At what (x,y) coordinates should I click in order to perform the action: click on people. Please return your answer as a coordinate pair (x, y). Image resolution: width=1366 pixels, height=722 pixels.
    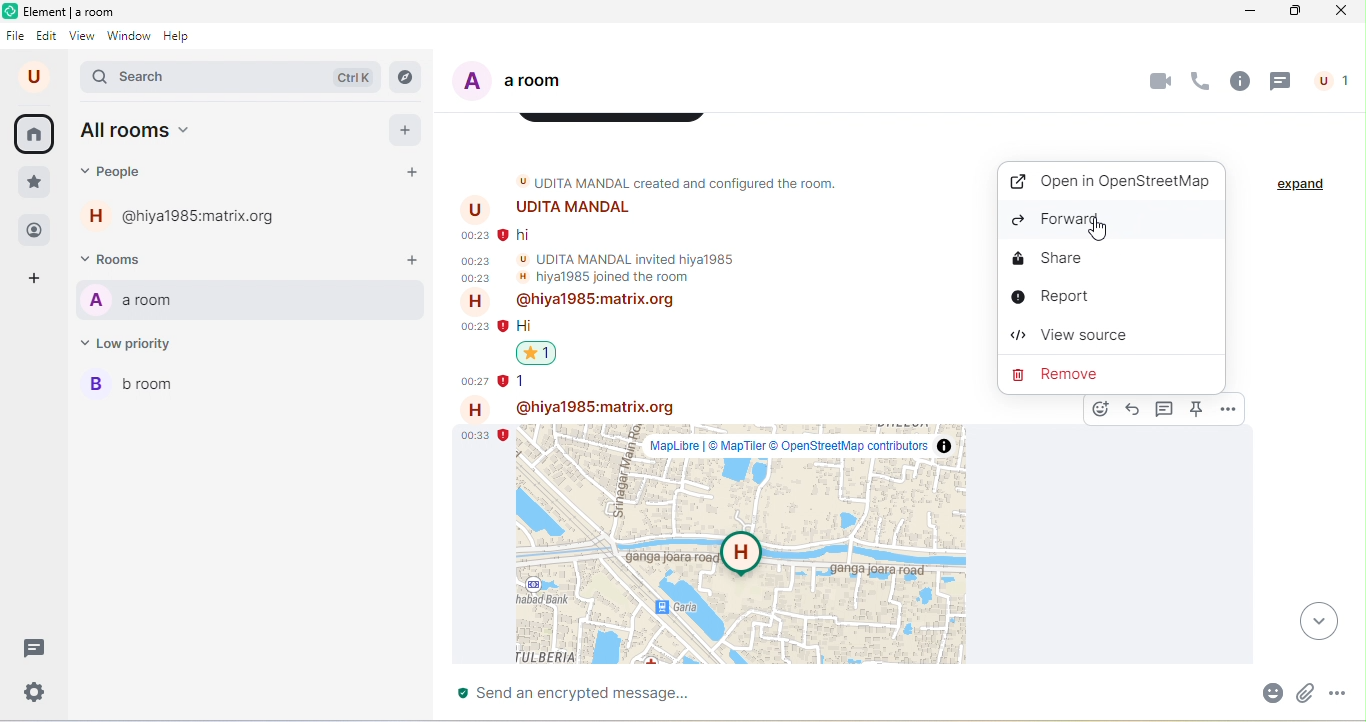
    Looking at the image, I should click on (125, 173).